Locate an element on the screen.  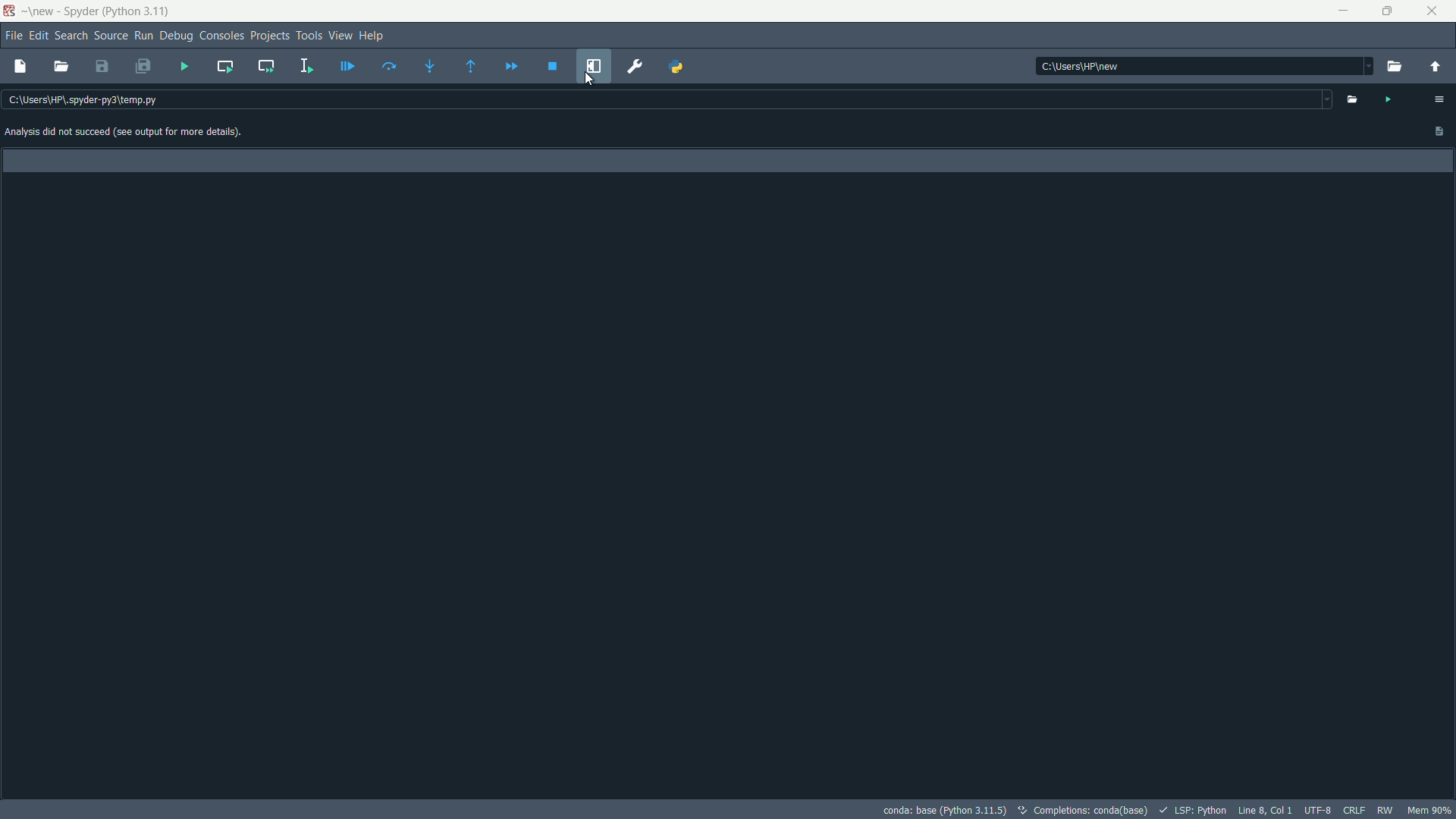
debug file is located at coordinates (347, 66).